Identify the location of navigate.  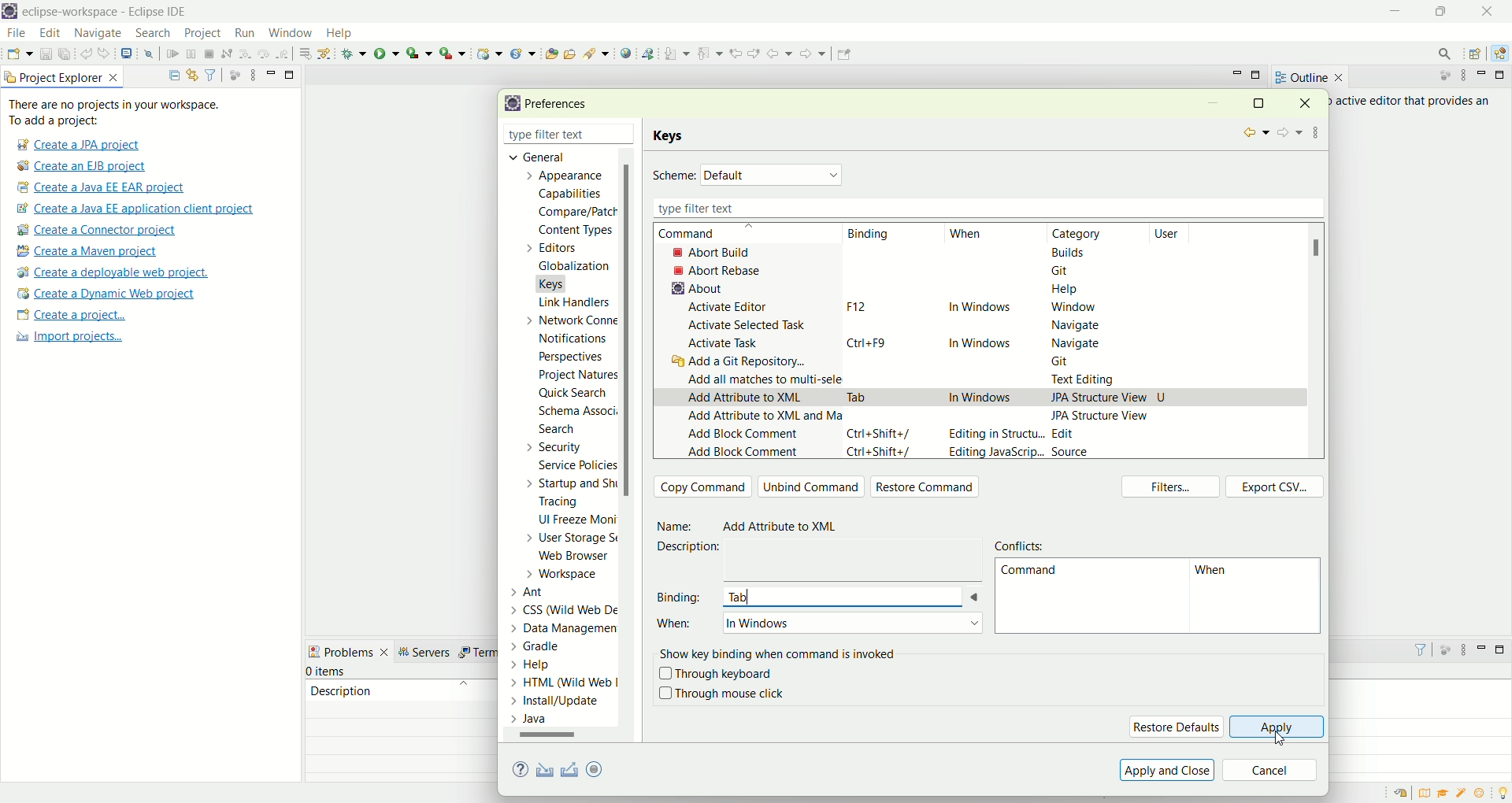
(98, 34).